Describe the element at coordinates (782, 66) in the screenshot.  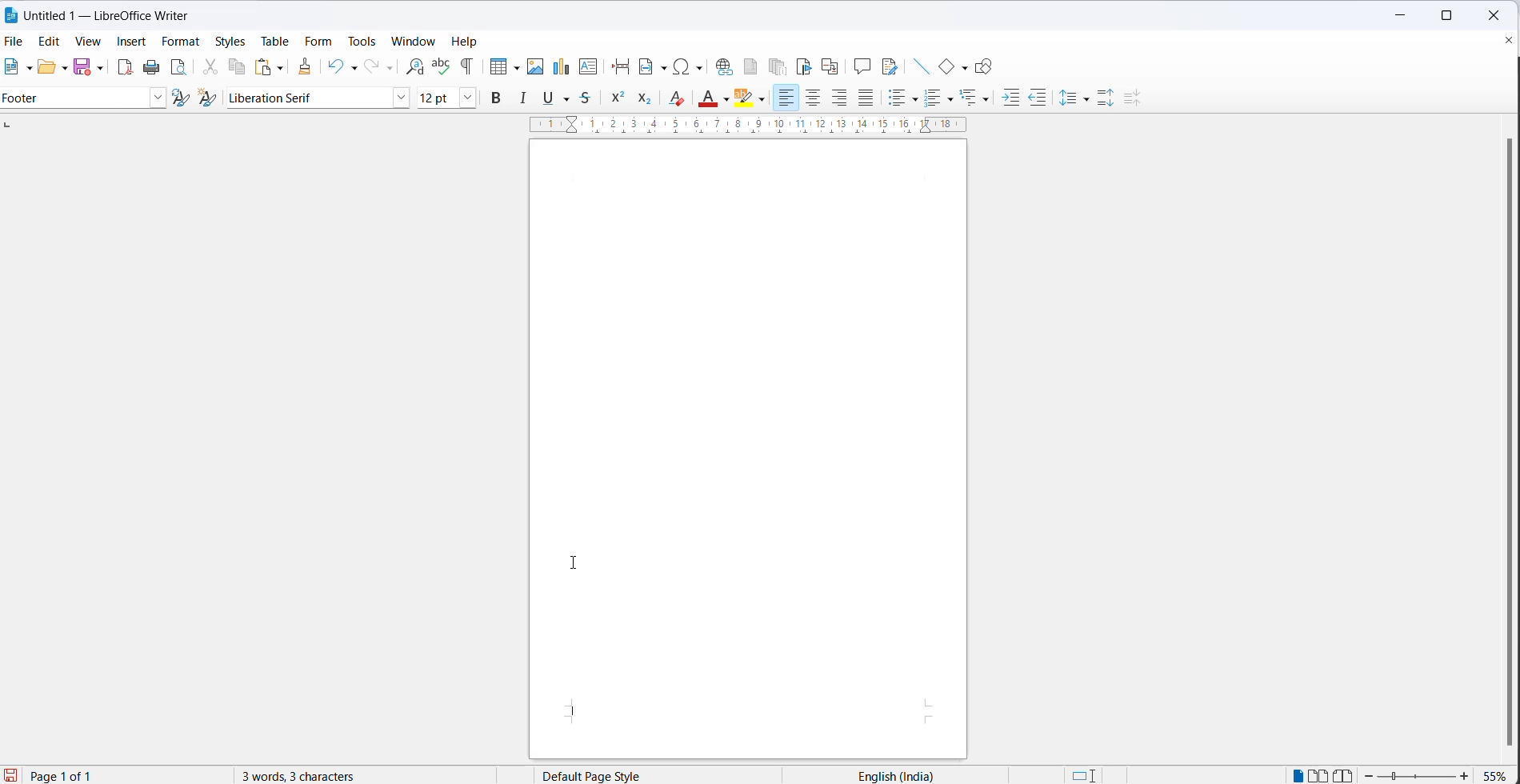
I see `insert endnote` at that location.